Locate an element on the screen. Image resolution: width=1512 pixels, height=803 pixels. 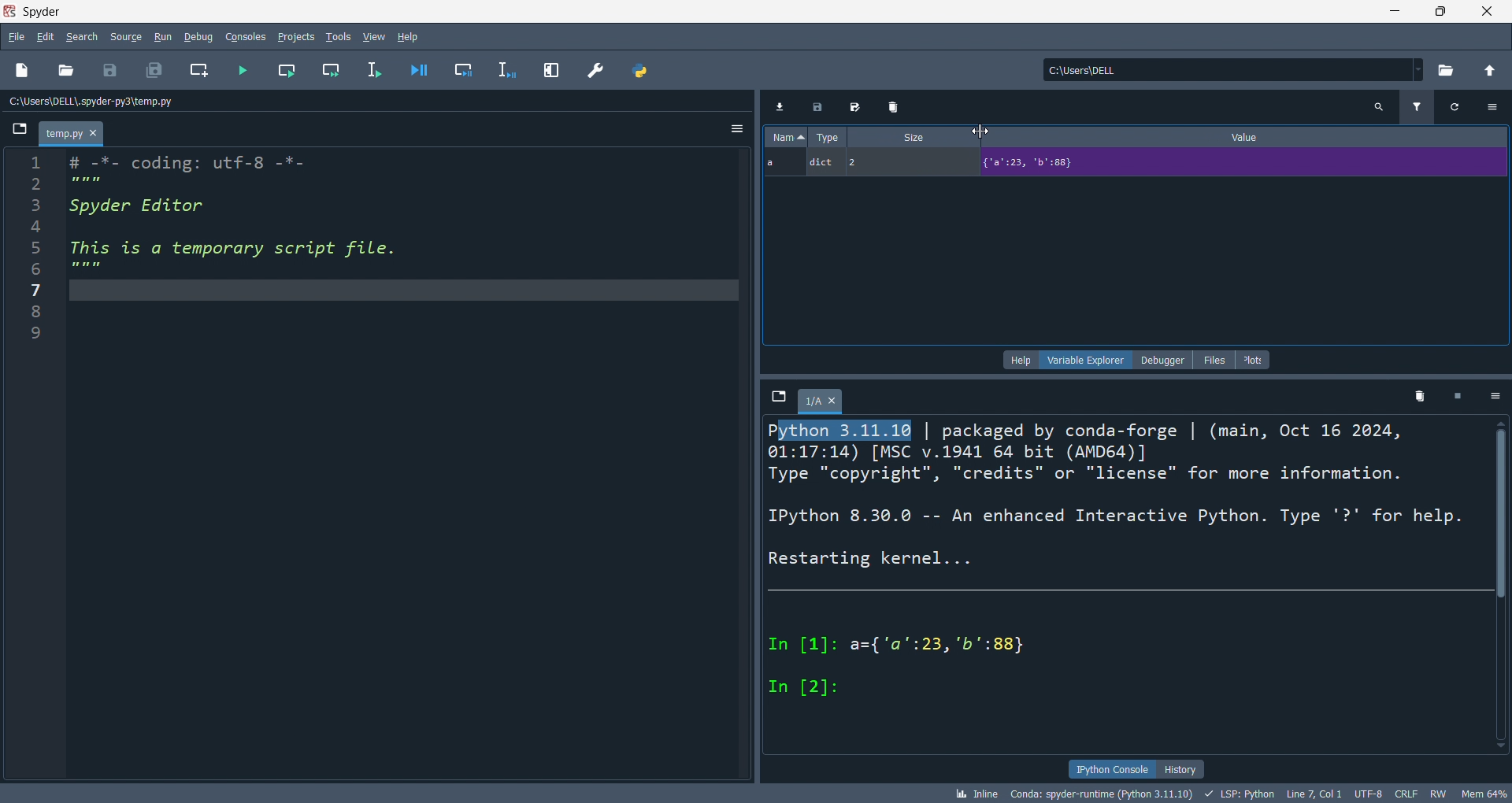
consoles is located at coordinates (239, 36).